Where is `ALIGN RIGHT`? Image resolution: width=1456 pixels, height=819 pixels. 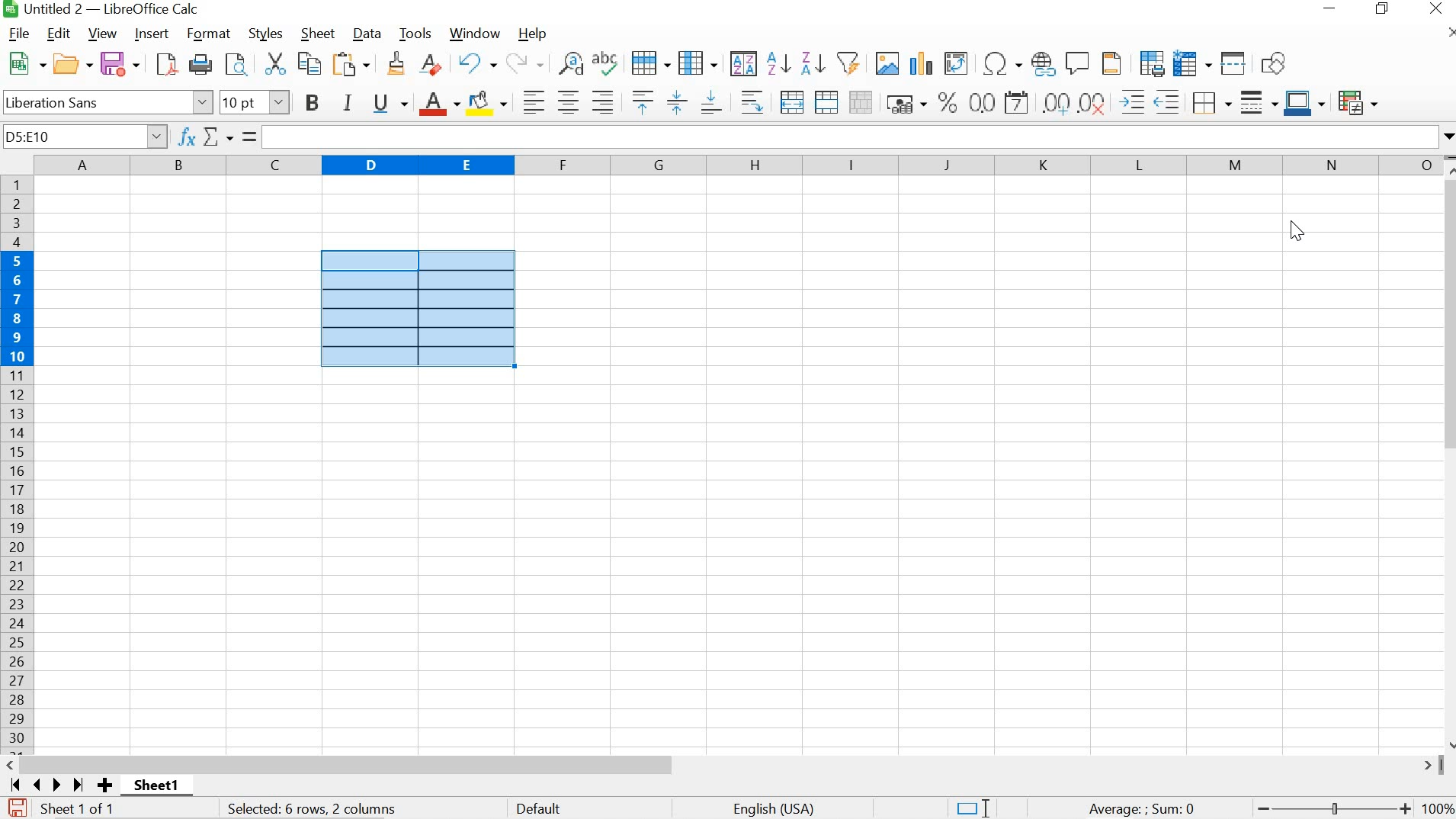 ALIGN RIGHT is located at coordinates (601, 101).